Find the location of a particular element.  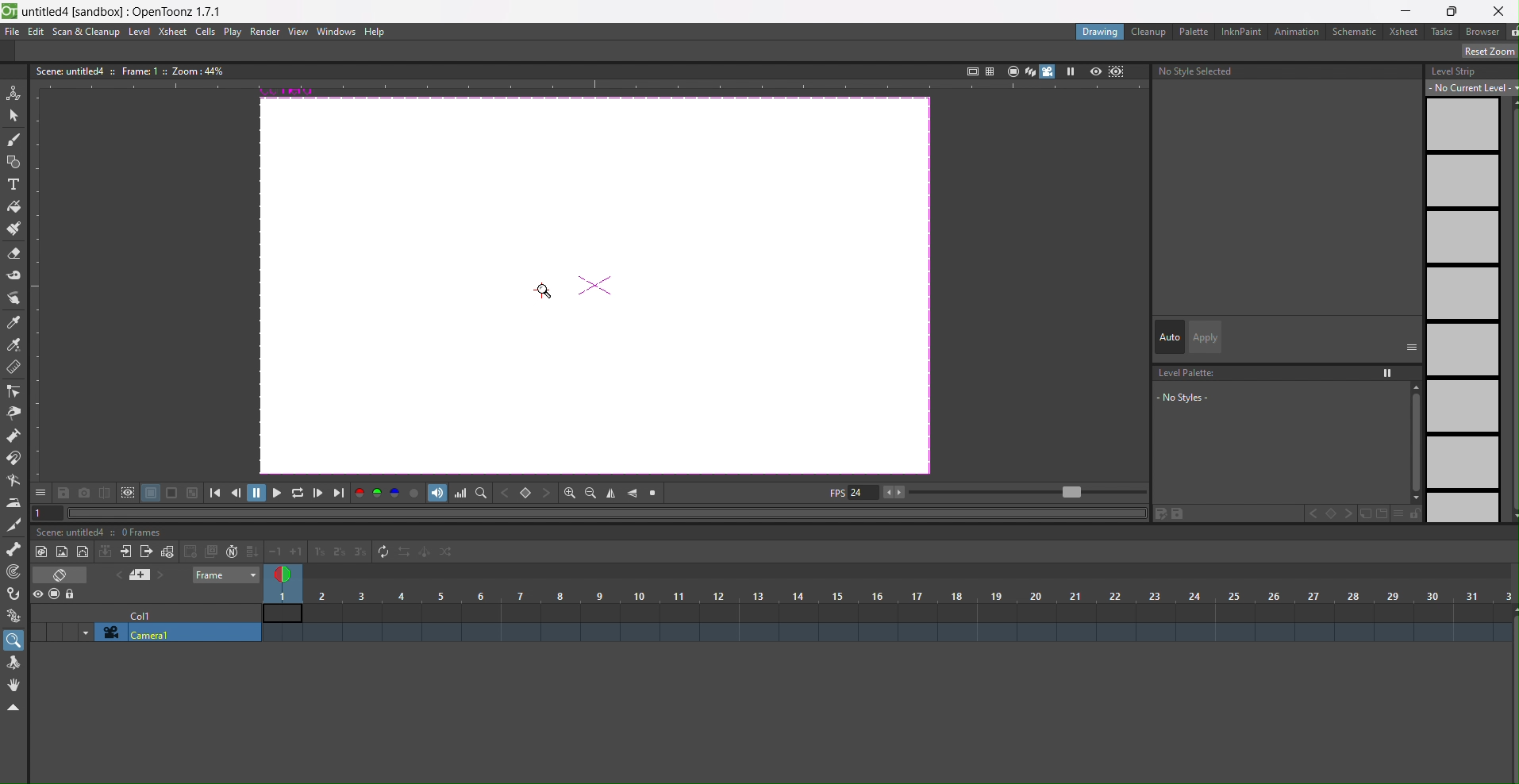

 is located at coordinates (13, 616).